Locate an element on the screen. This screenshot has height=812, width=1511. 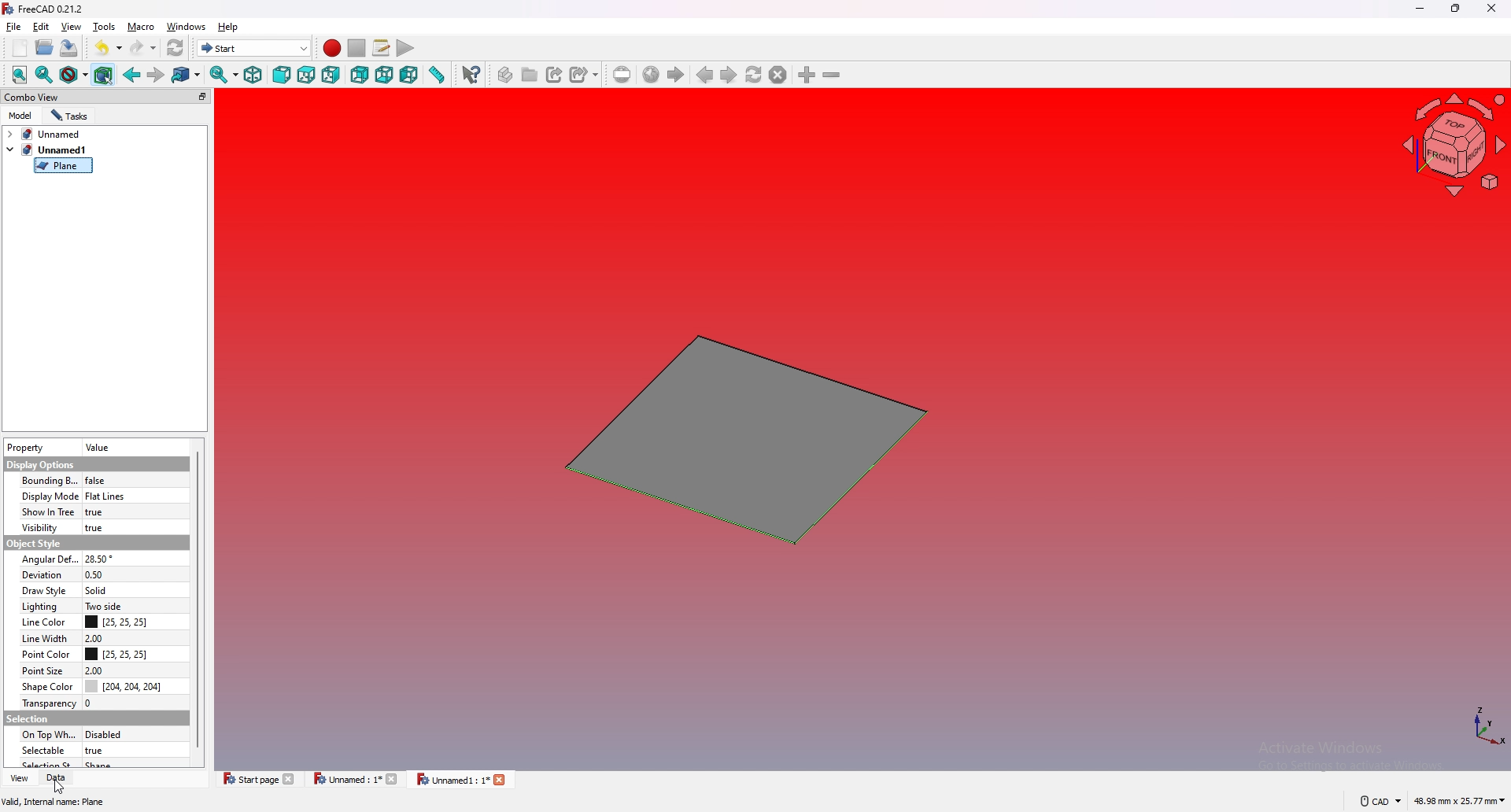
windows is located at coordinates (187, 26).